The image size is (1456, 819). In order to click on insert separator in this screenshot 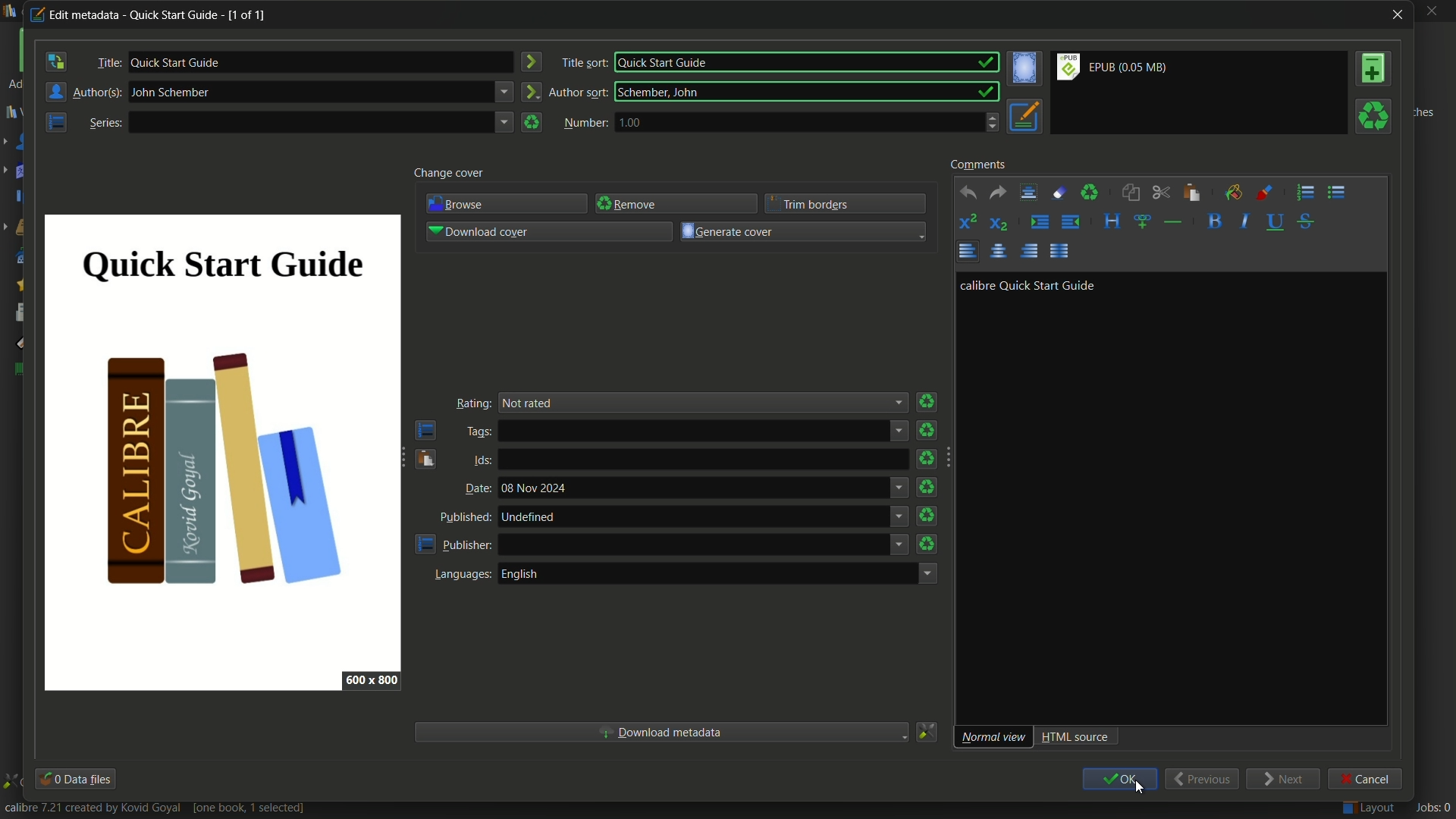, I will do `click(1175, 224)`.